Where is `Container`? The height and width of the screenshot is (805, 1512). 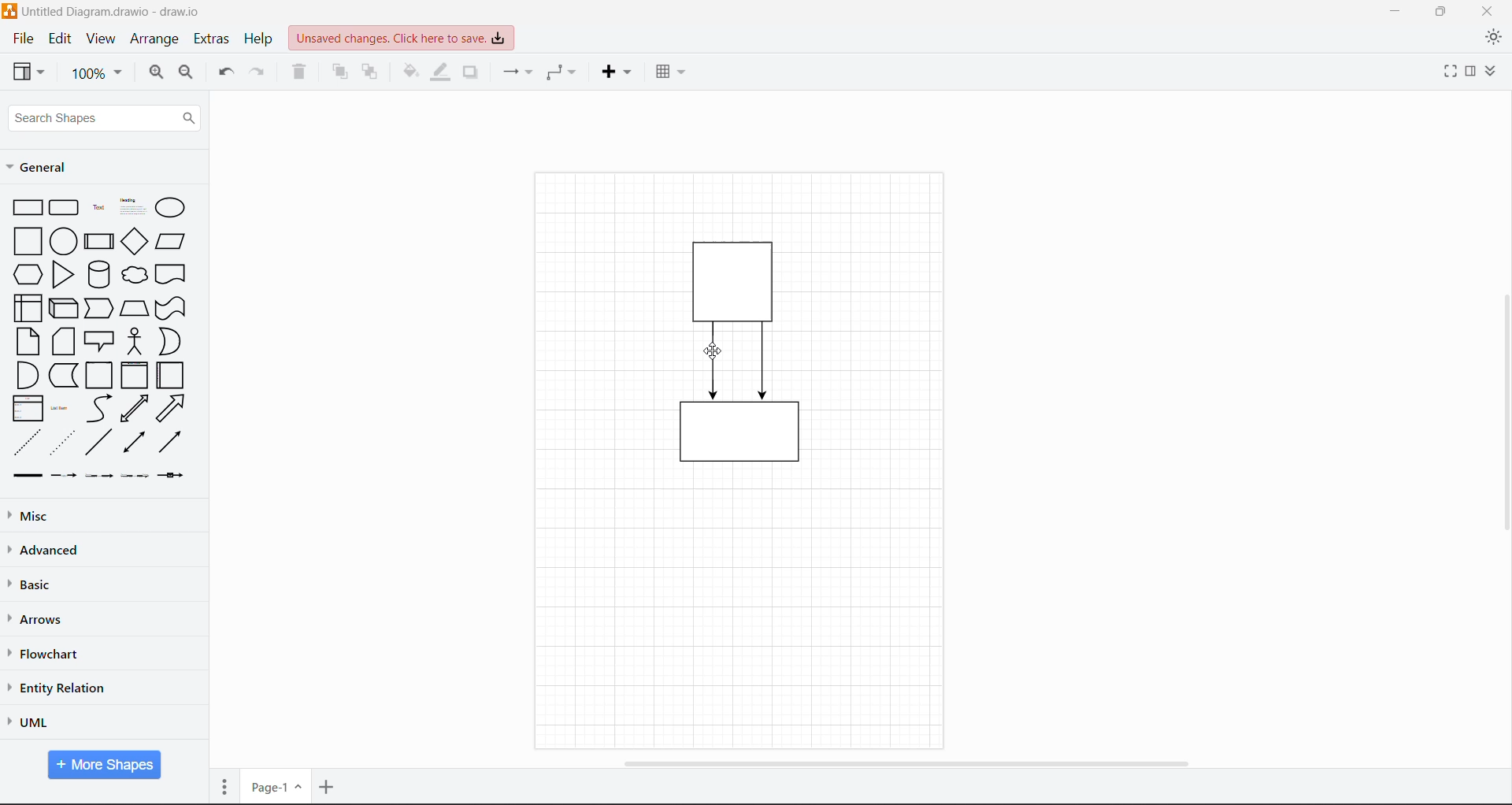 Container is located at coordinates (100, 376).